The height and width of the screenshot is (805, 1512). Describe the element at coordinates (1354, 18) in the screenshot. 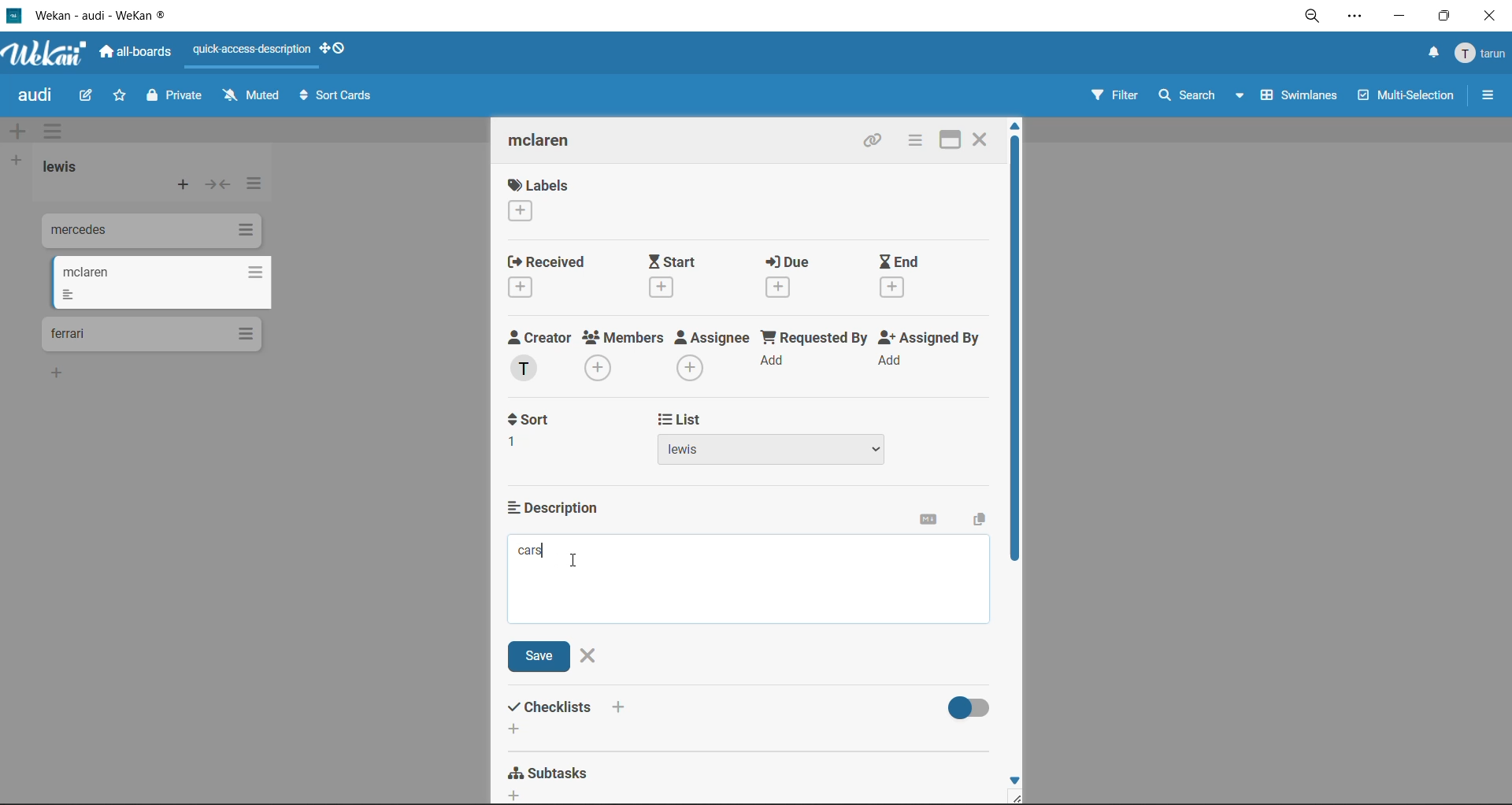

I see `settings` at that location.